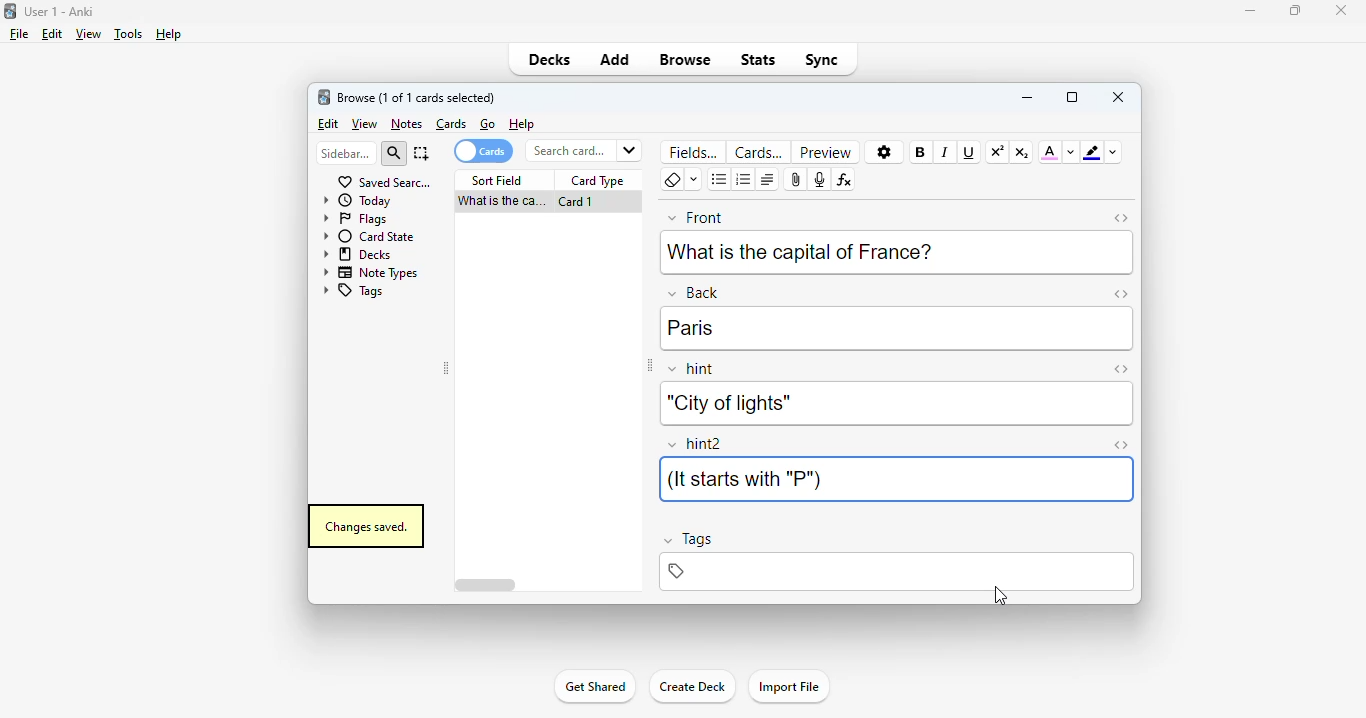 The image size is (1366, 718). I want to click on change color, so click(1113, 152).